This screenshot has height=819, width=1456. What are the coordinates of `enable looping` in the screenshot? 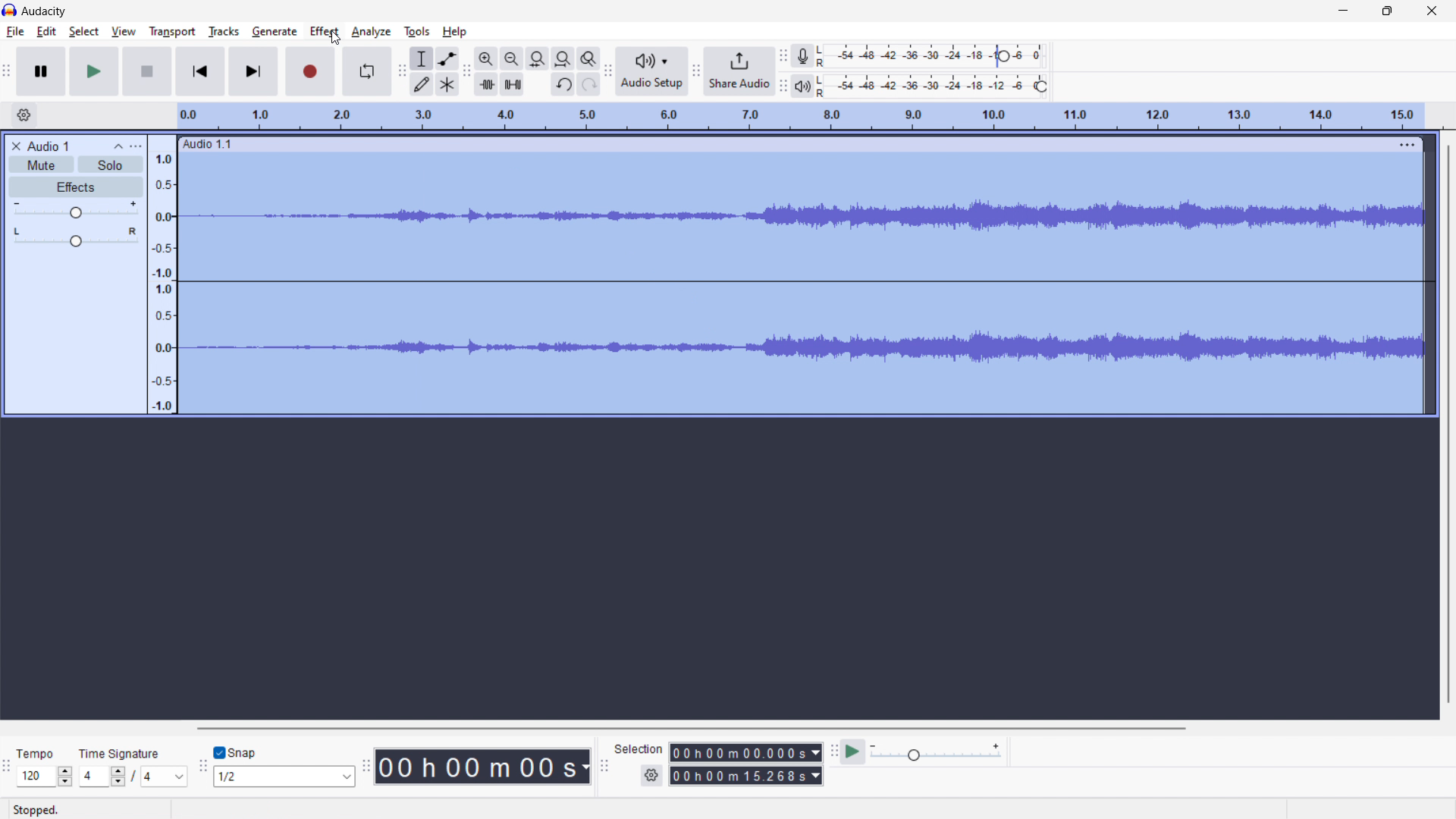 It's located at (366, 71).